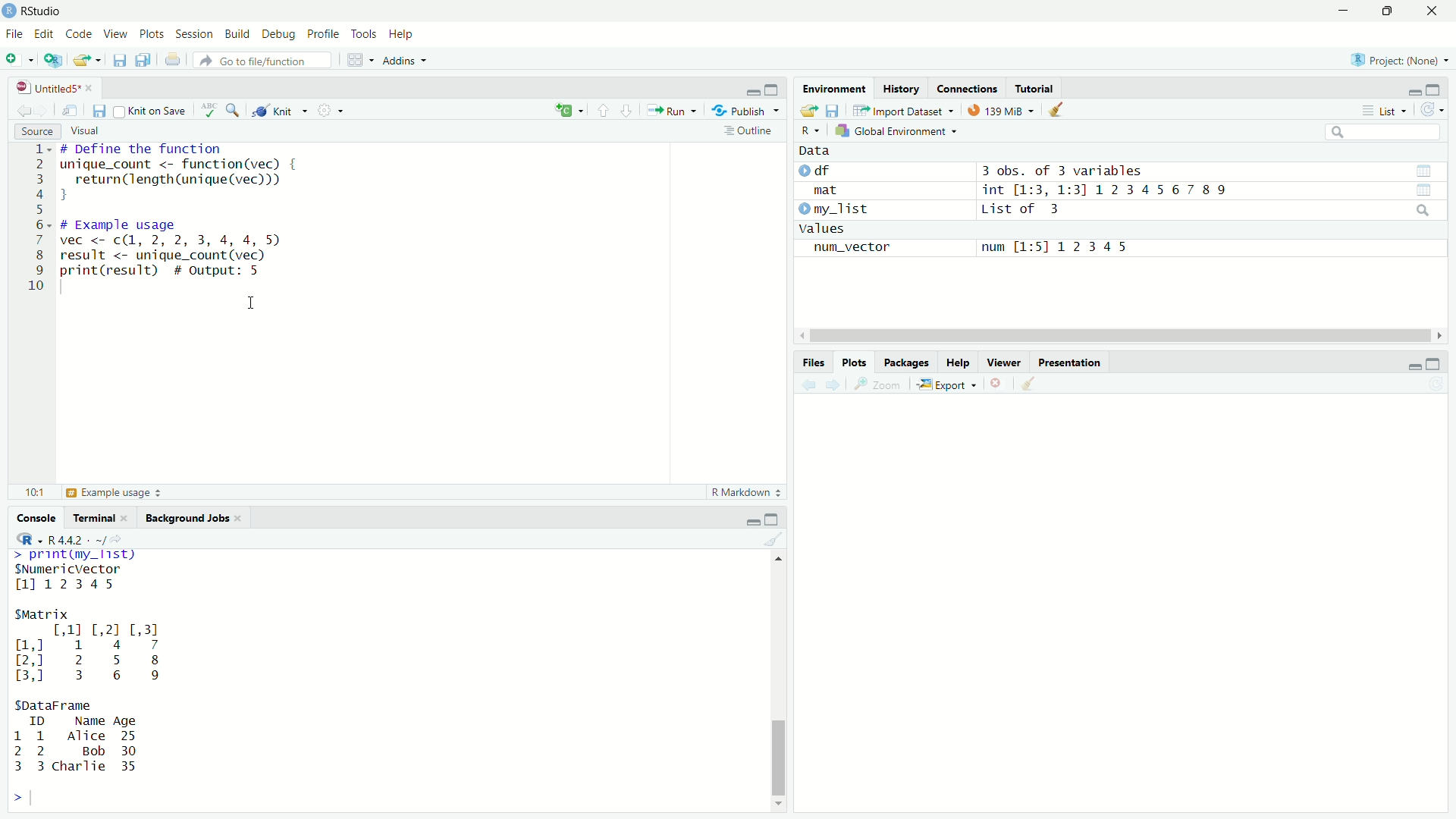 The width and height of the screenshot is (1456, 819). I want to click on check spelling, so click(211, 111).